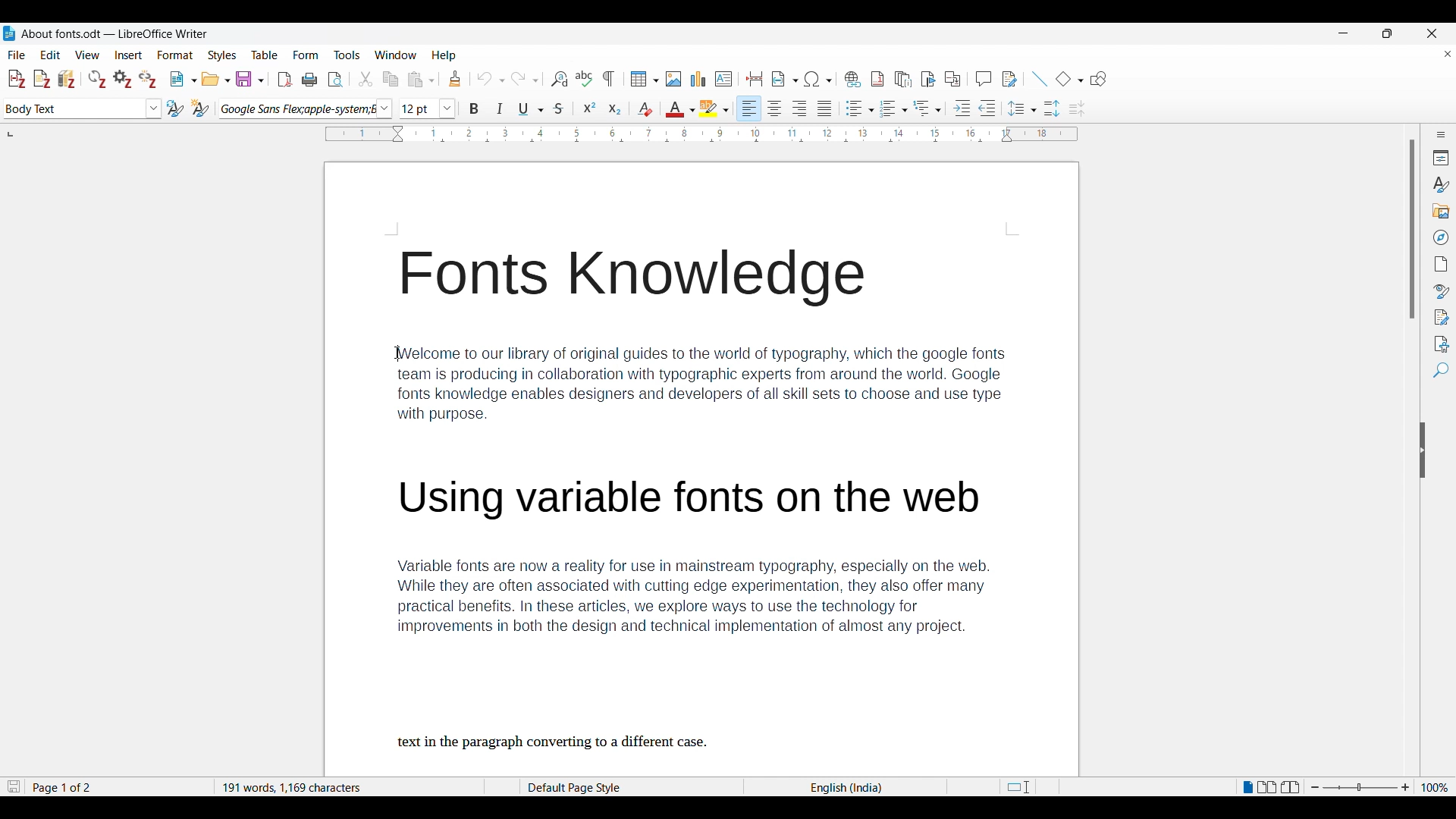  I want to click on Navigator, so click(1442, 237).